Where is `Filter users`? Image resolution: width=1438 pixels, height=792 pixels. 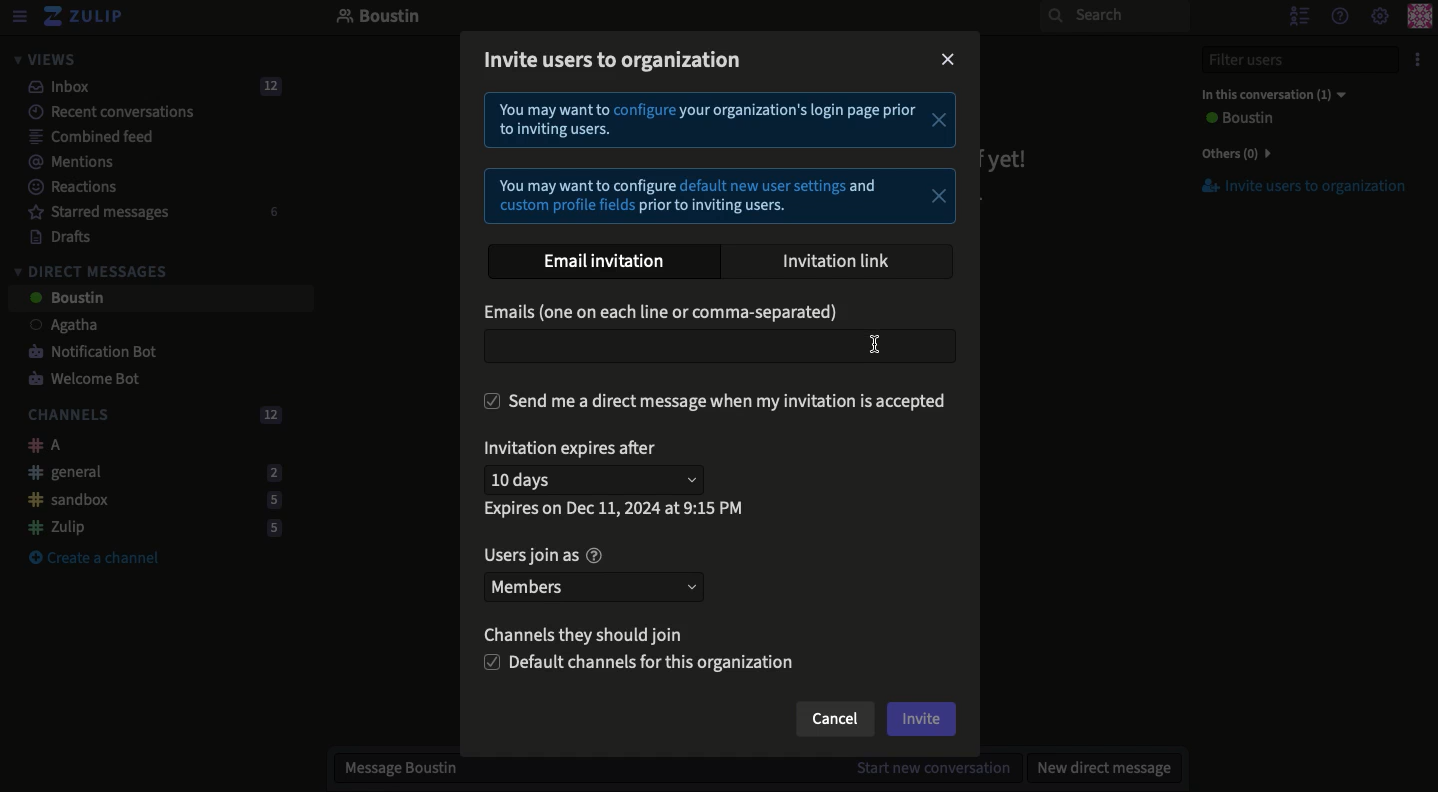
Filter users is located at coordinates (1288, 60).